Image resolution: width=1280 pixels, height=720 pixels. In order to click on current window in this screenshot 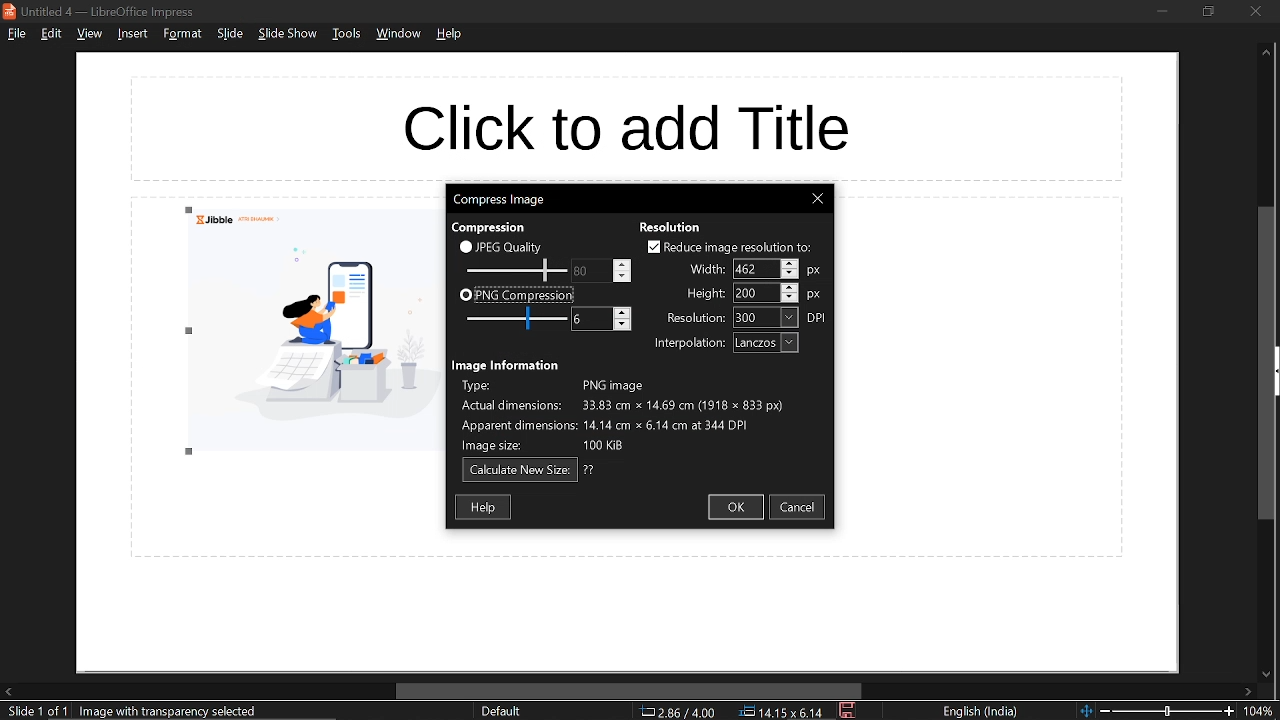, I will do `click(498, 198)`.